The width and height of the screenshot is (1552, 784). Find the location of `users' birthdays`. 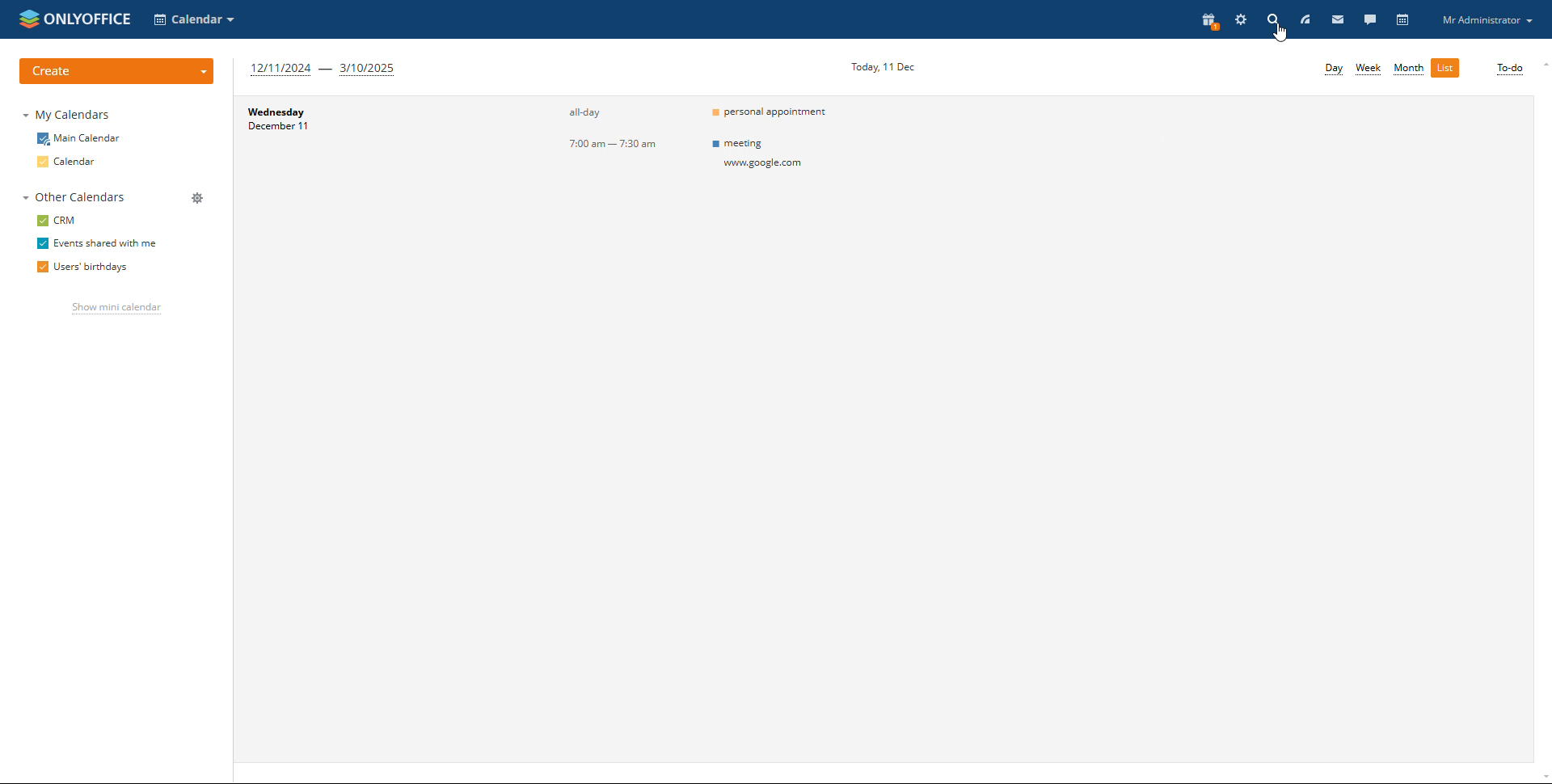

users' birthdays is located at coordinates (87, 266).